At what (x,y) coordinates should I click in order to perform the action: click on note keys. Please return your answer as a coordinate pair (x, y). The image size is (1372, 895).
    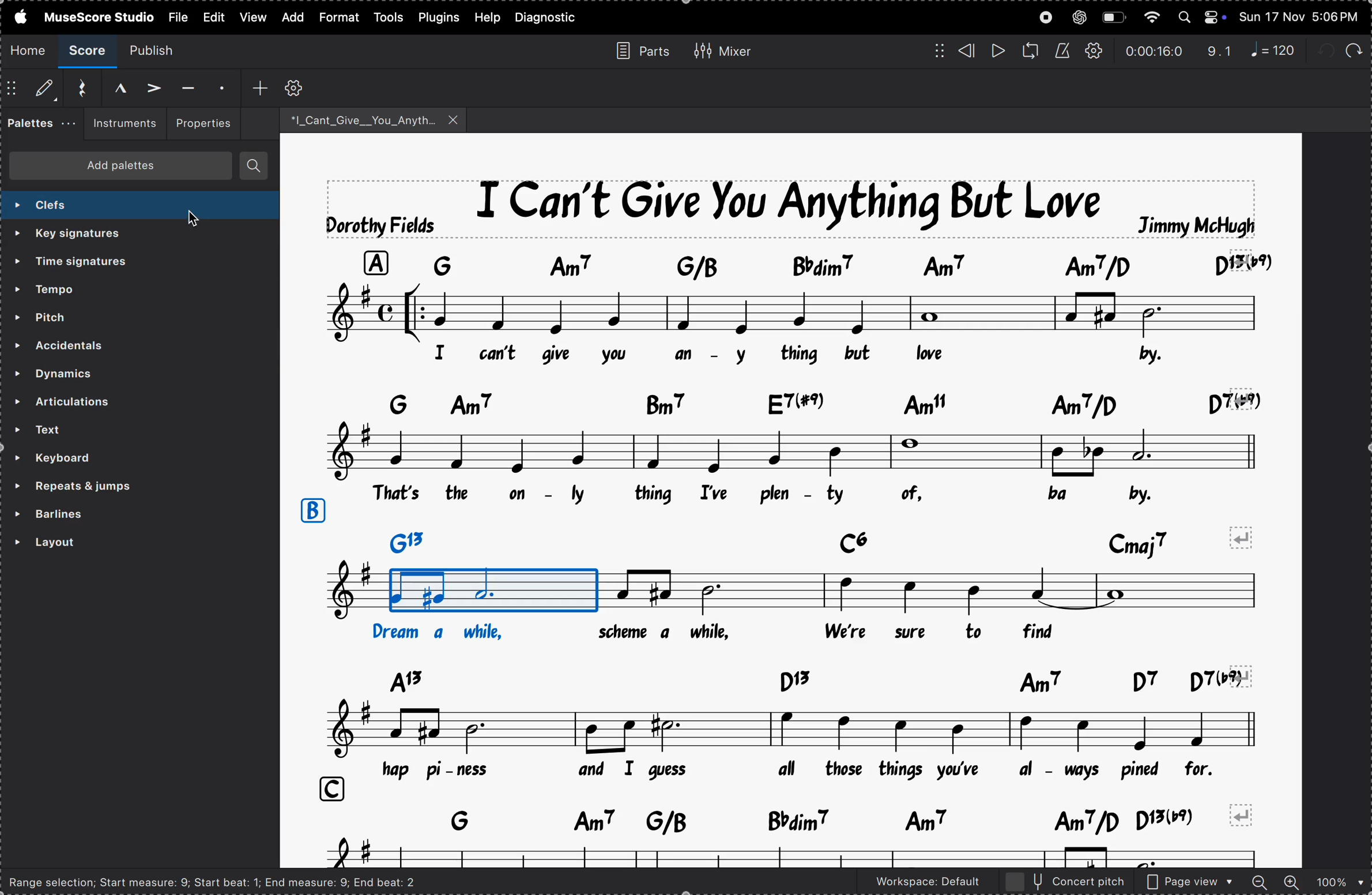
    Looking at the image, I should click on (805, 264).